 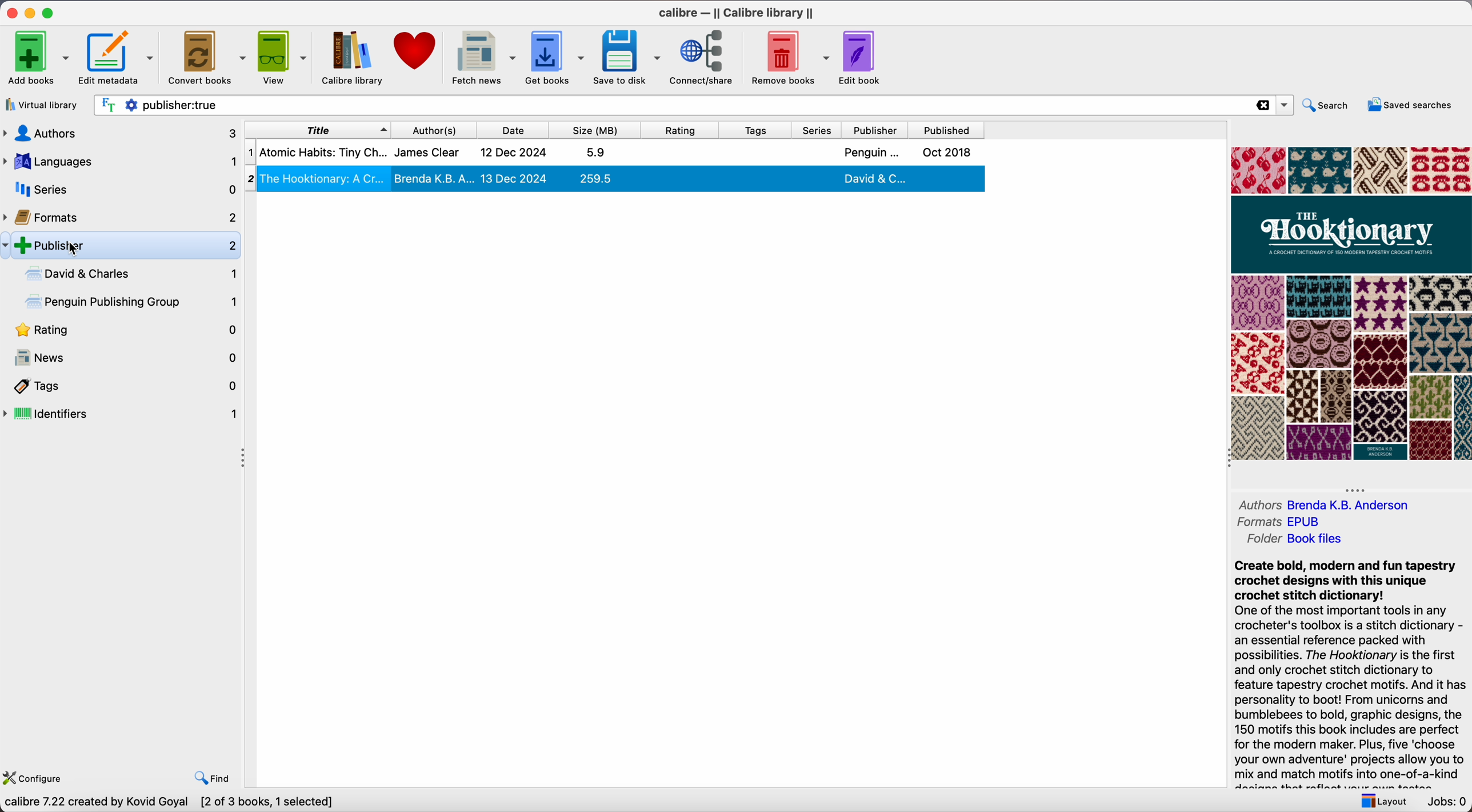 I want to click on folder Book files, so click(x=1296, y=539).